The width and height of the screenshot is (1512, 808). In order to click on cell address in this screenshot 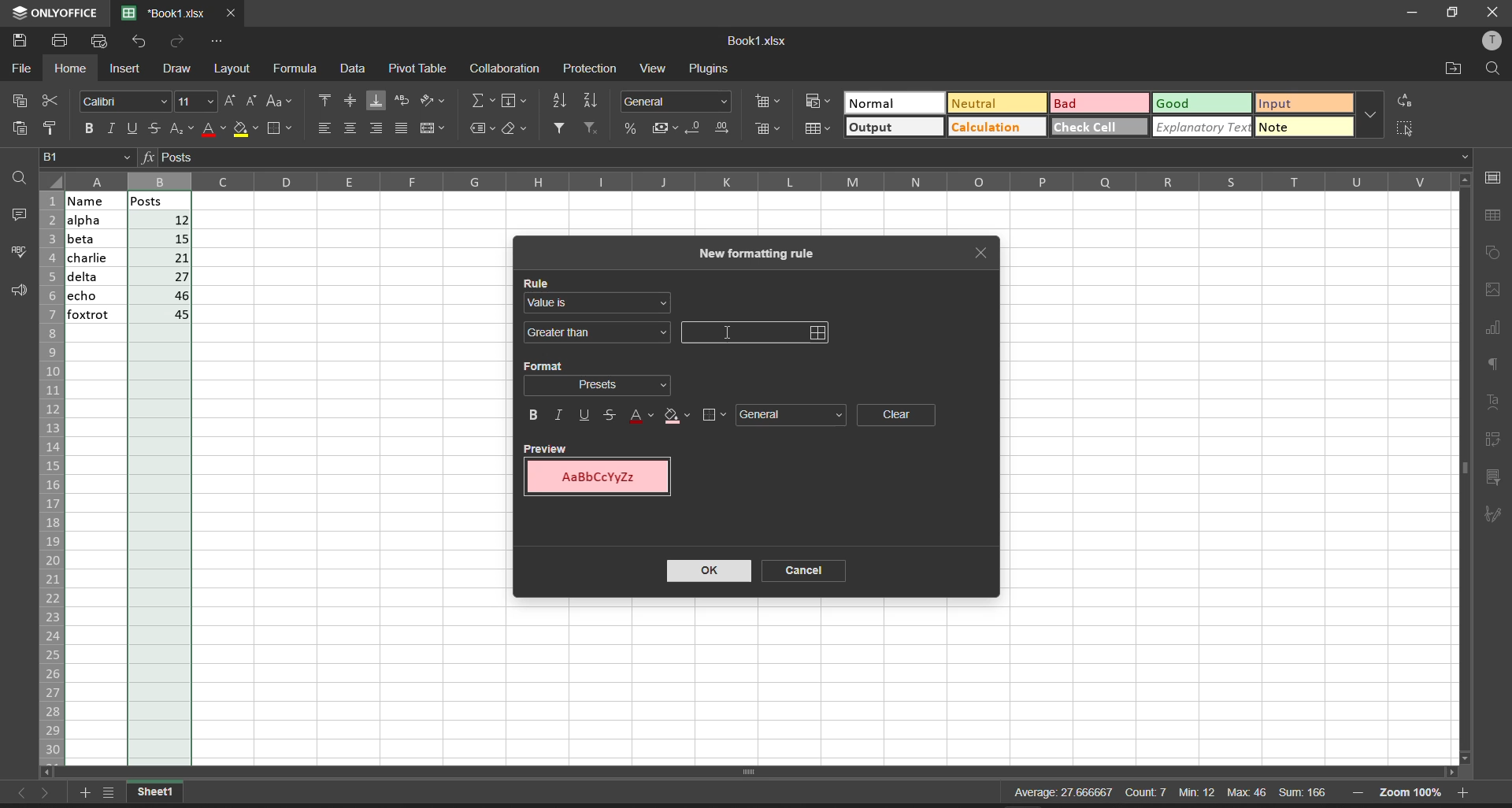, I will do `click(88, 157)`.